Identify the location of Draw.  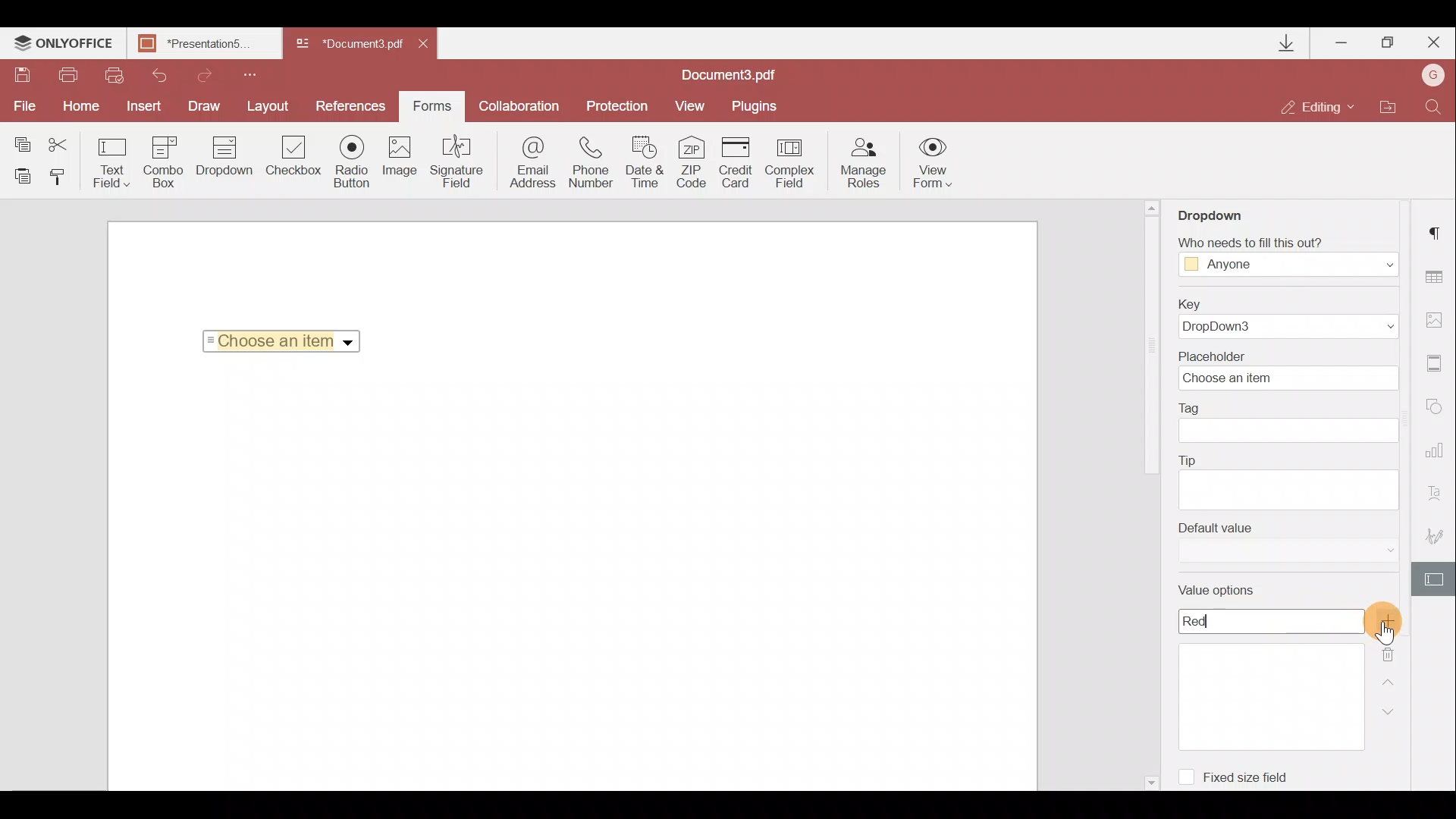
(208, 106).